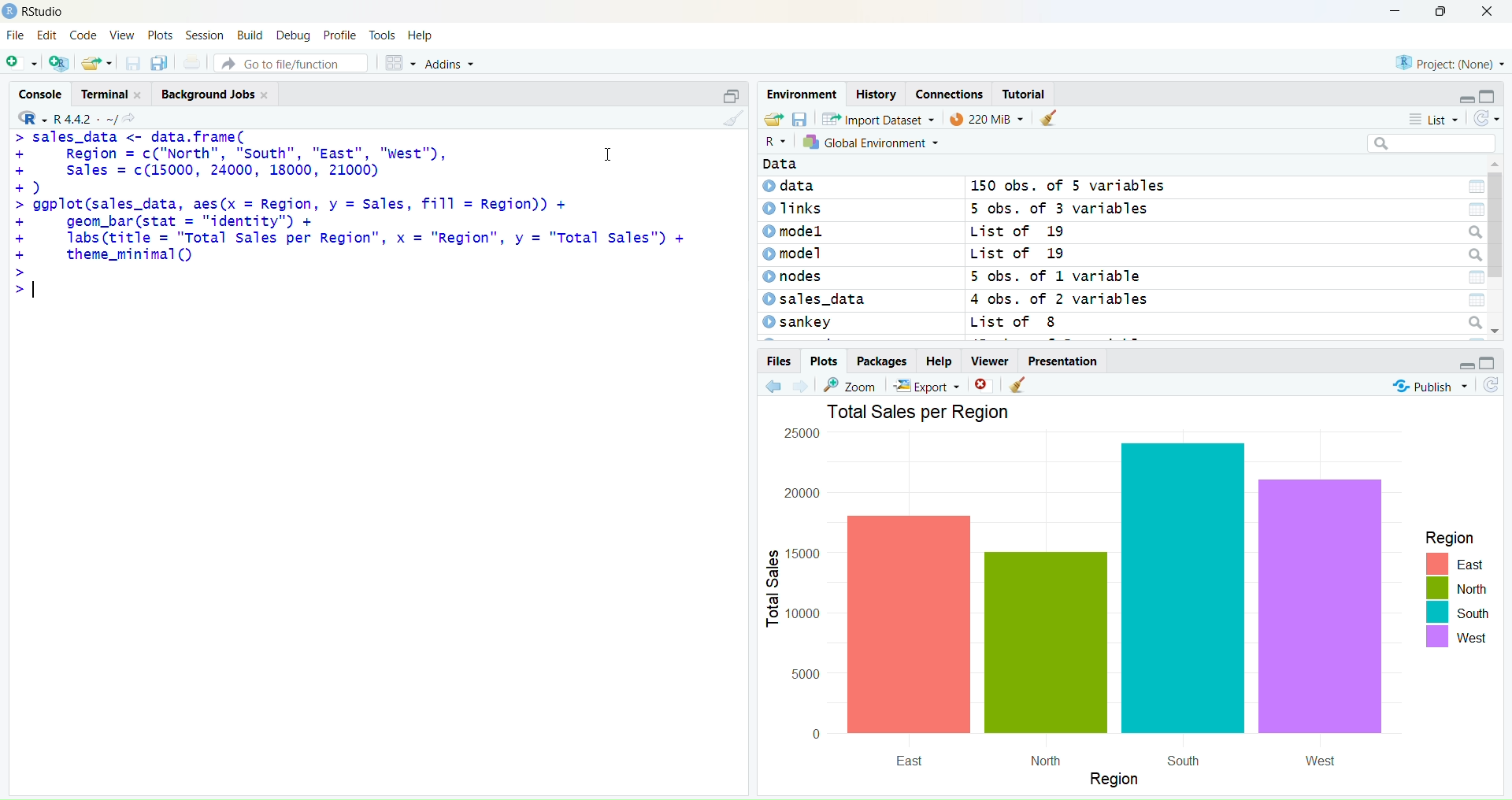  I want to click on Terminal, so click(108, 93).